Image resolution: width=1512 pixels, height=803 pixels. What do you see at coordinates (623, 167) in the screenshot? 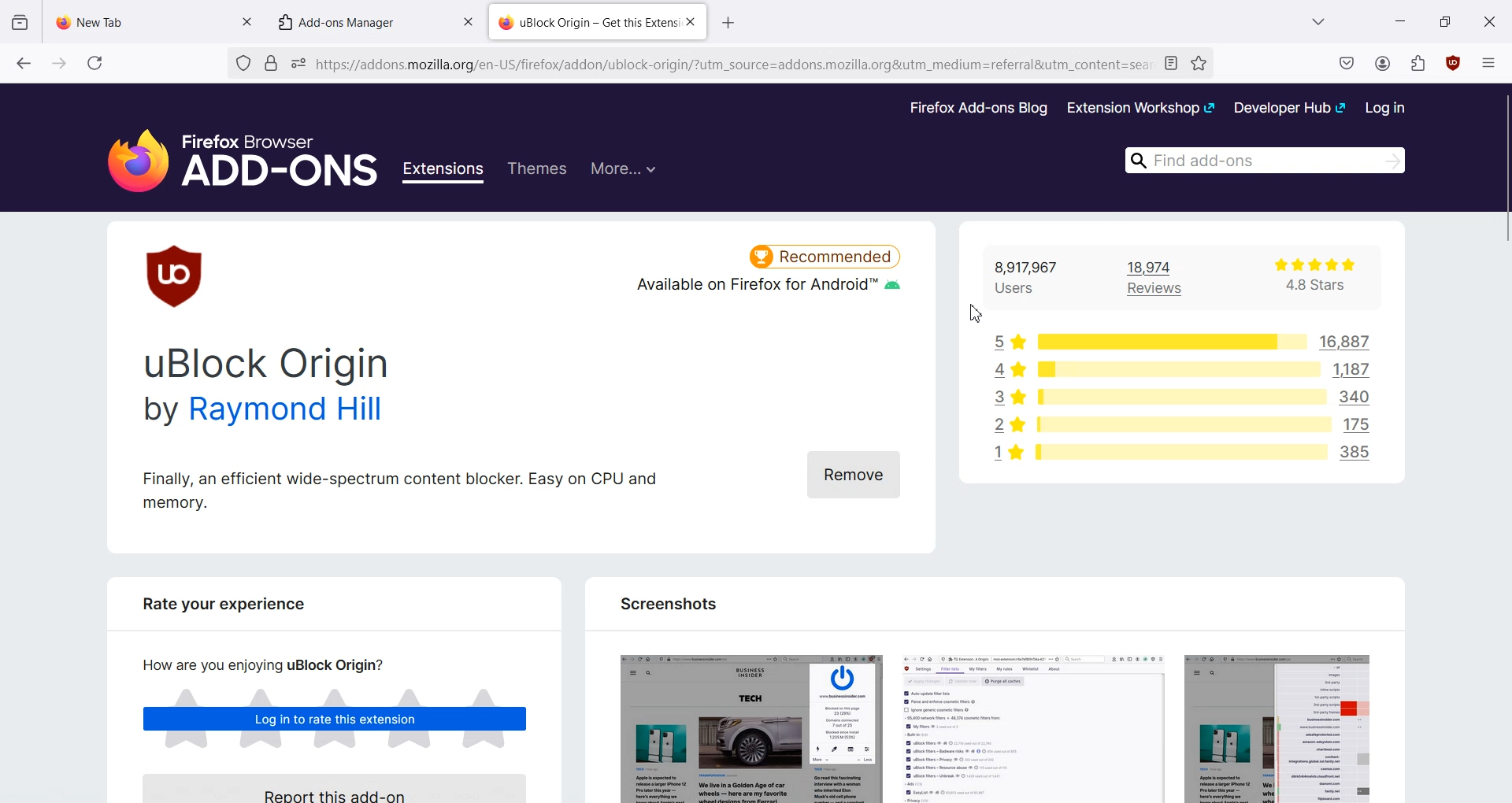
I see `More` at bounding box center [623, 167].